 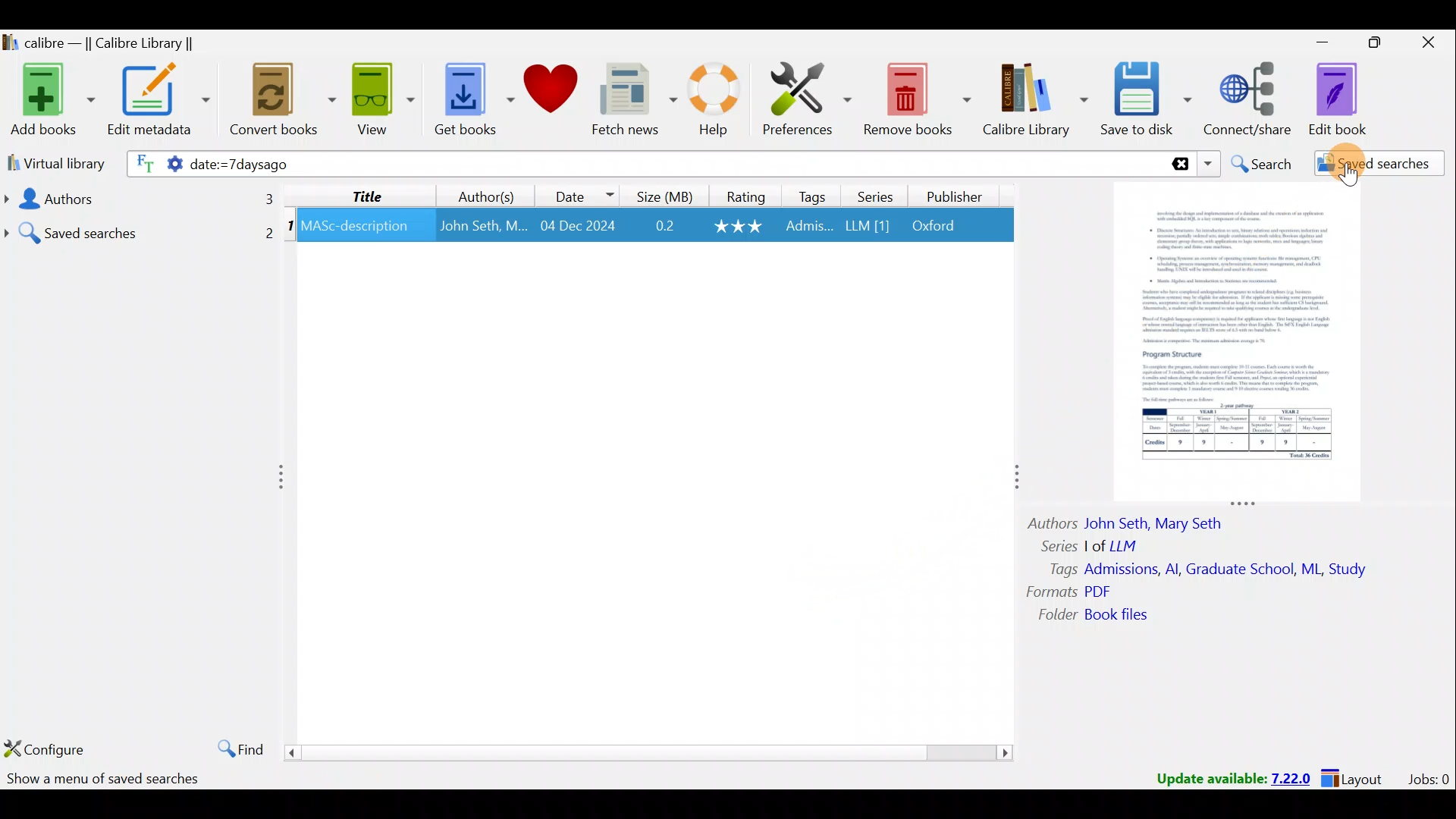 I want to click on Edit book, so click(x=1350, y=99).